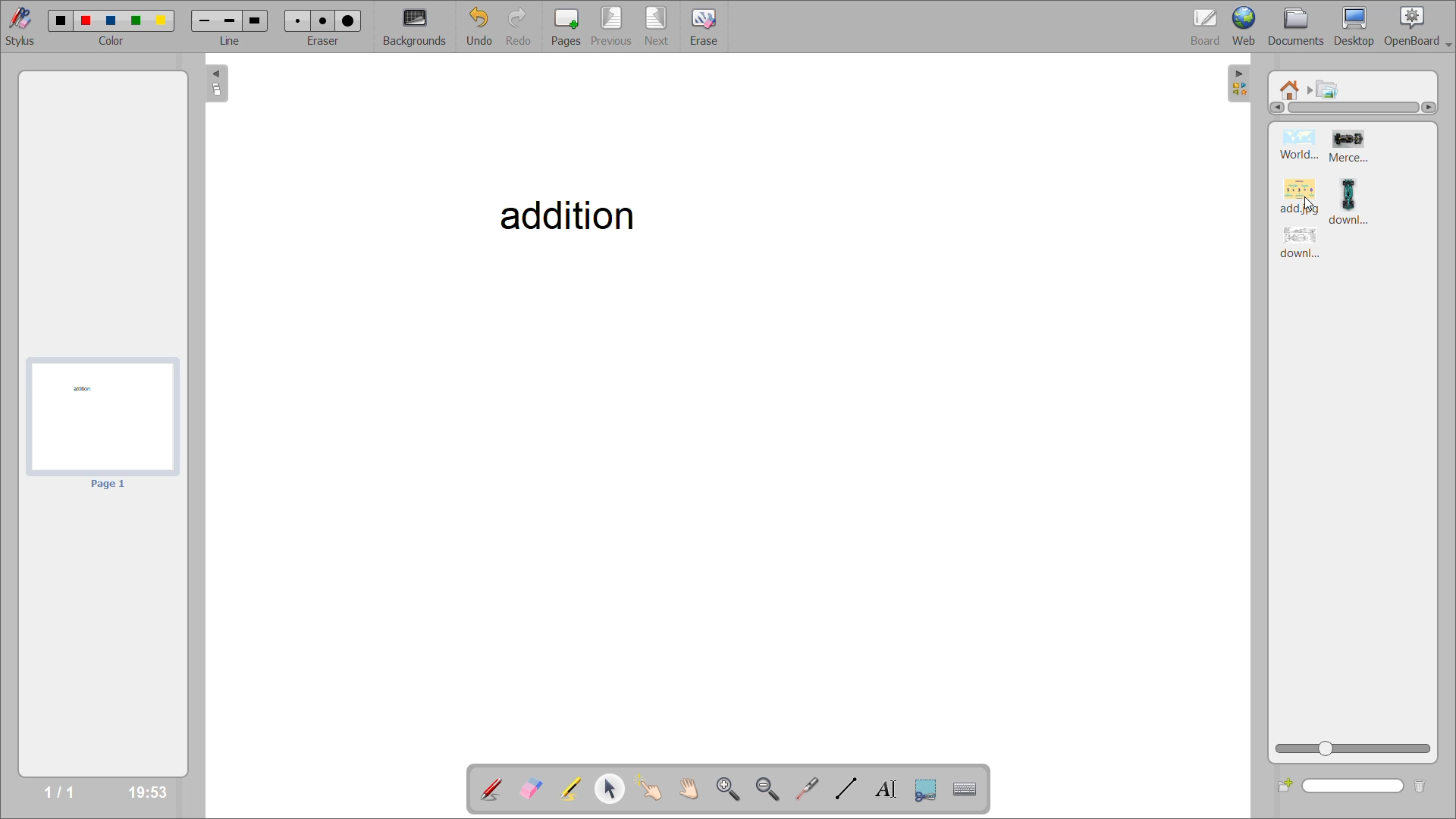 The height and width of the screenshot is (819, 1456). What do you see at coordinates (134, 22) in the screenshot?
I see `color 4` at bounding box center [134, 22].